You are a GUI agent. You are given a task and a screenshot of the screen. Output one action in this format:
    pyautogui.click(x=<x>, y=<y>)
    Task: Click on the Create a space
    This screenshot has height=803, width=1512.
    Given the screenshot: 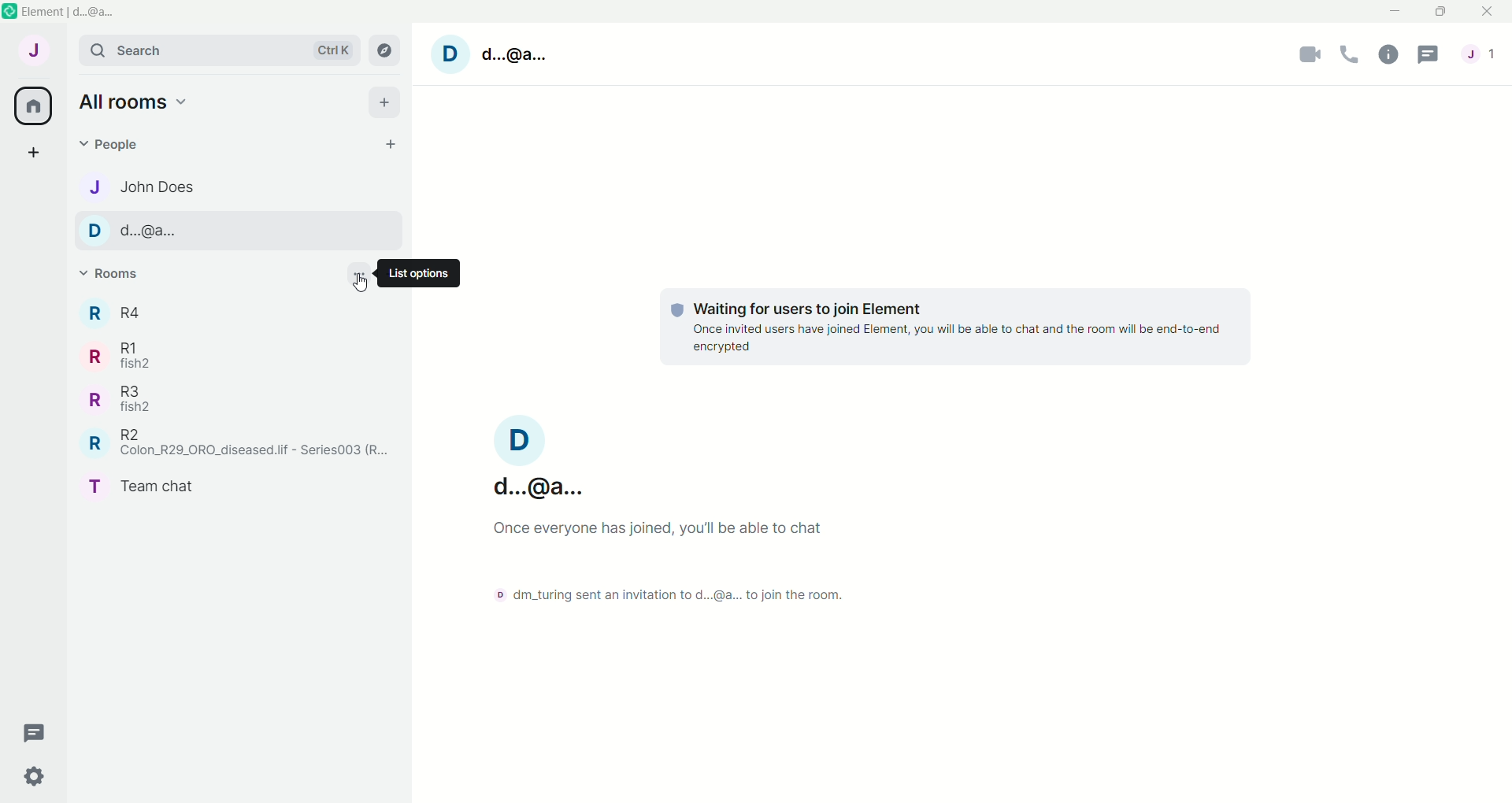 What is the action you would take?
    pyautogui.click(x=40, y=151)
    